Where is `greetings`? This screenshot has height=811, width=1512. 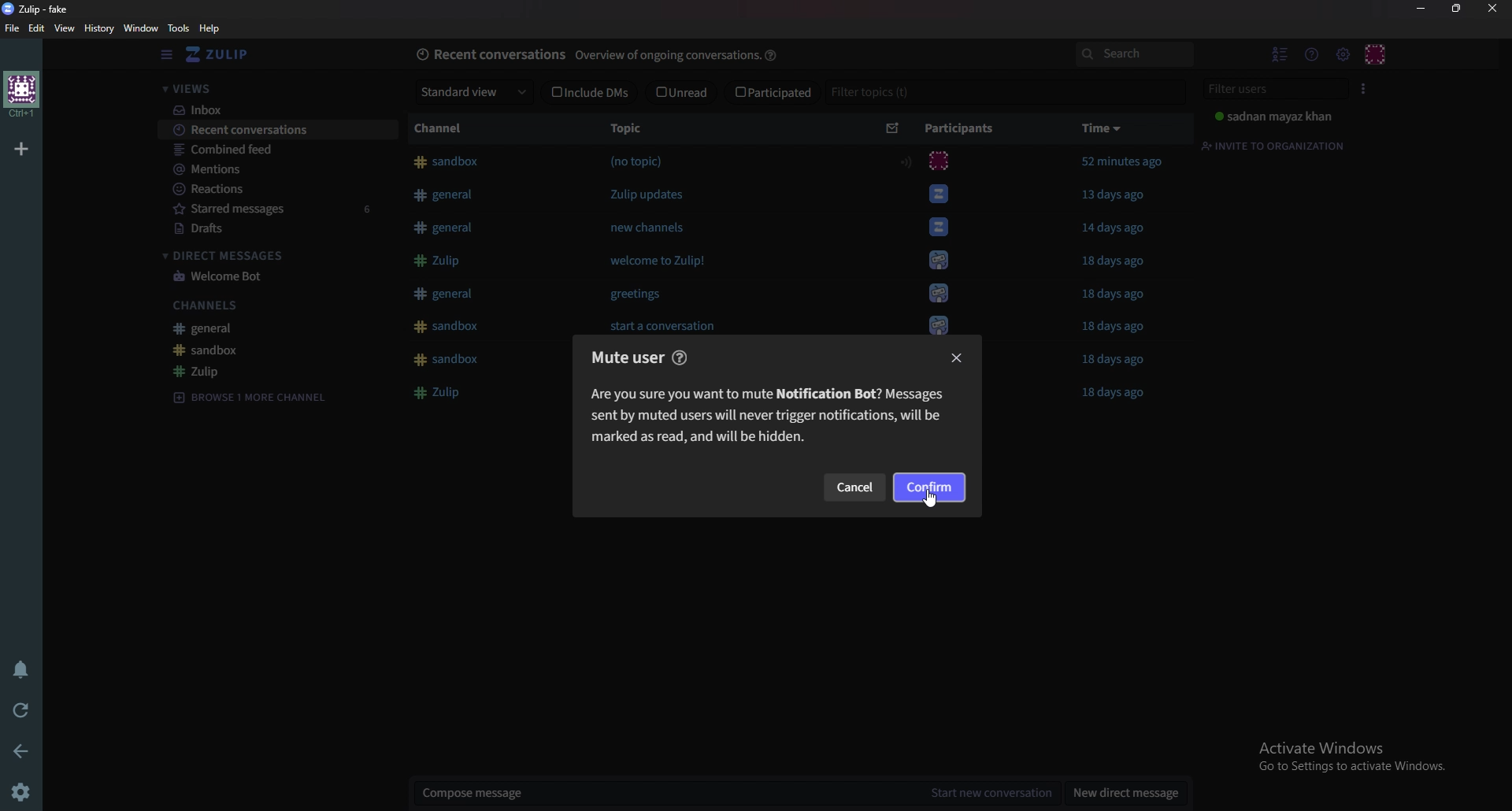
greetings is located at coordinates (636, 298).